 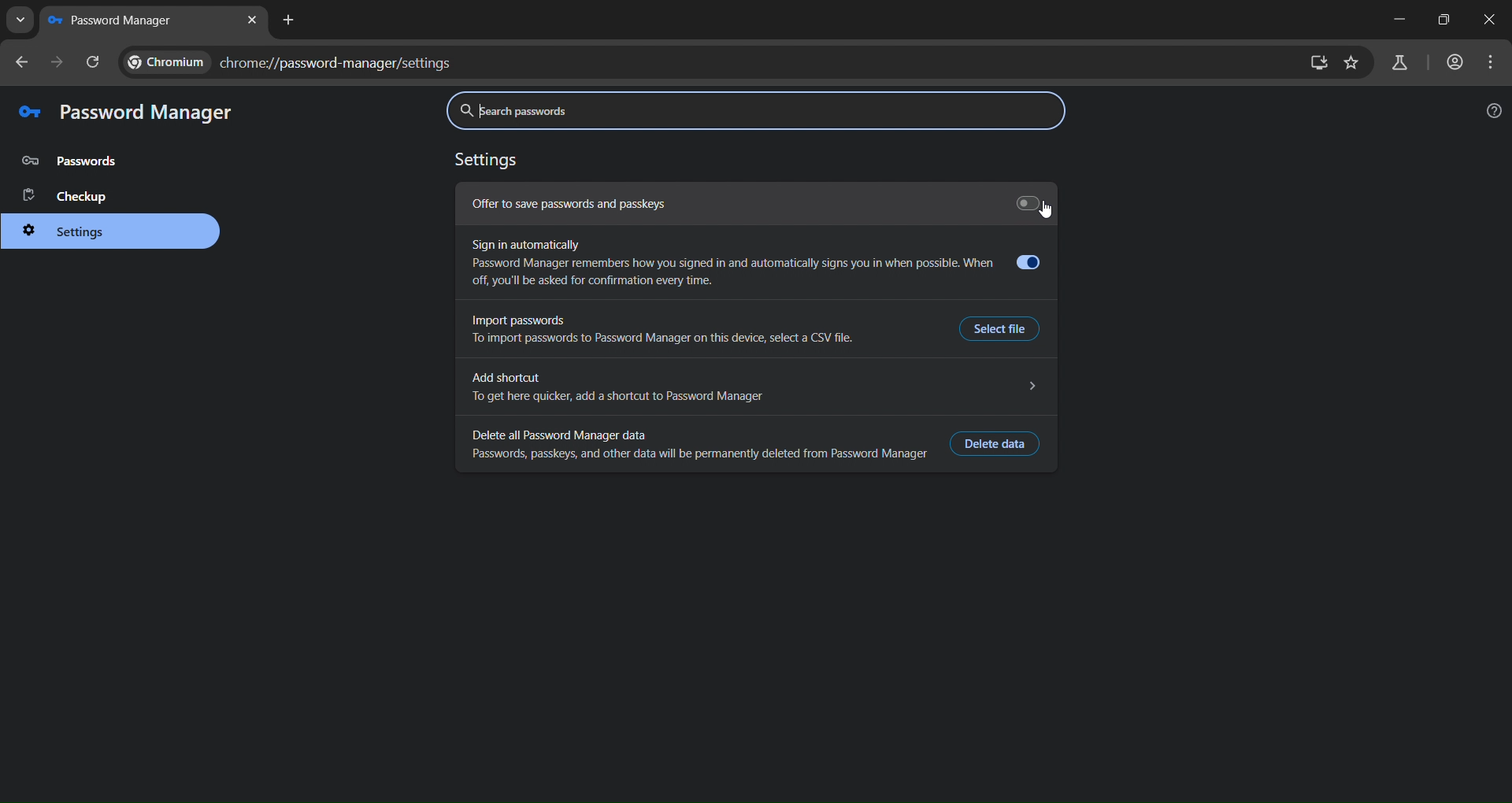 I want to click on help, so click(x=1492, y=113).